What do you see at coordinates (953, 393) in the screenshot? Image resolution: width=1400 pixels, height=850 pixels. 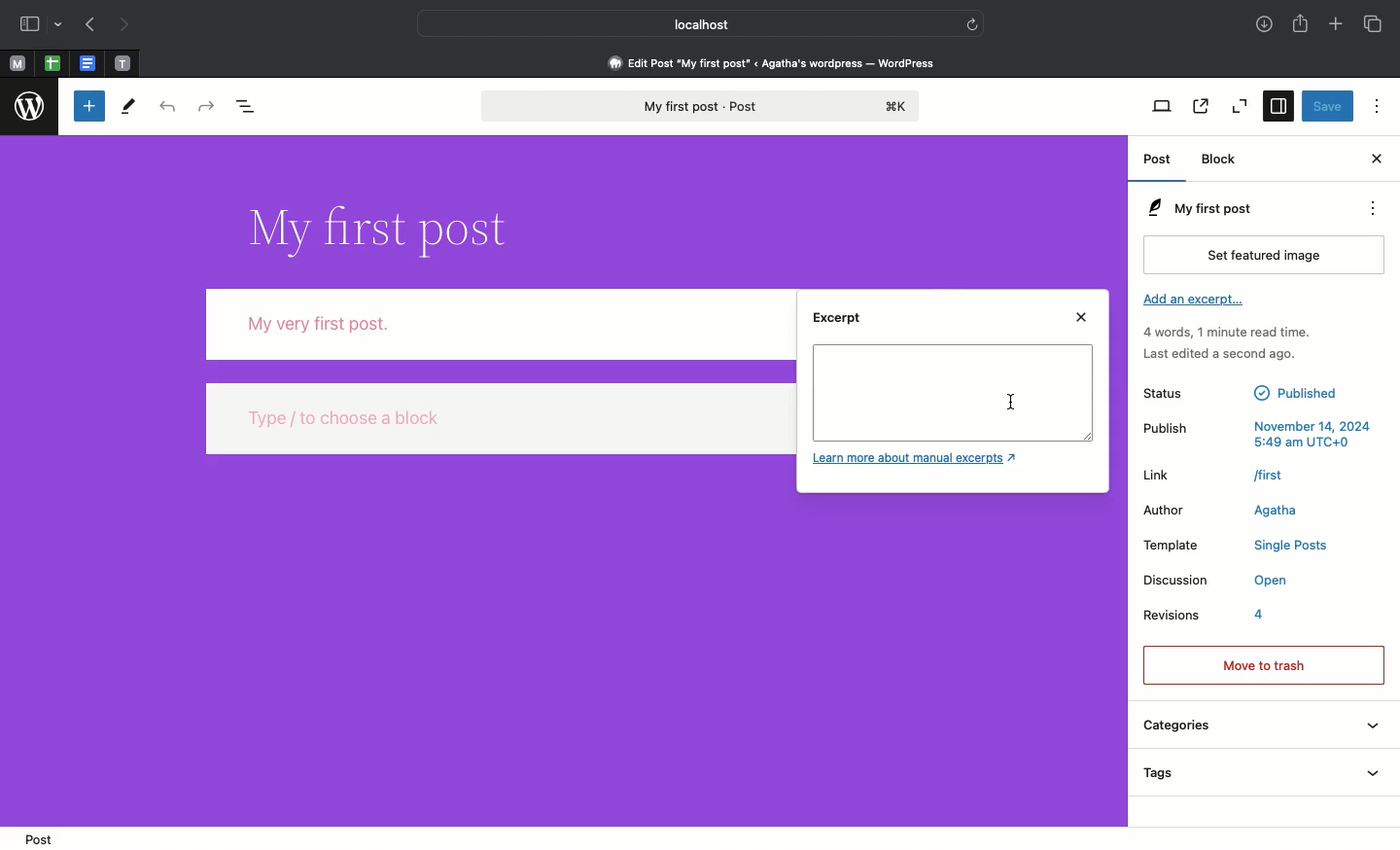 I see `Text box` at bounding box center [953, 393].